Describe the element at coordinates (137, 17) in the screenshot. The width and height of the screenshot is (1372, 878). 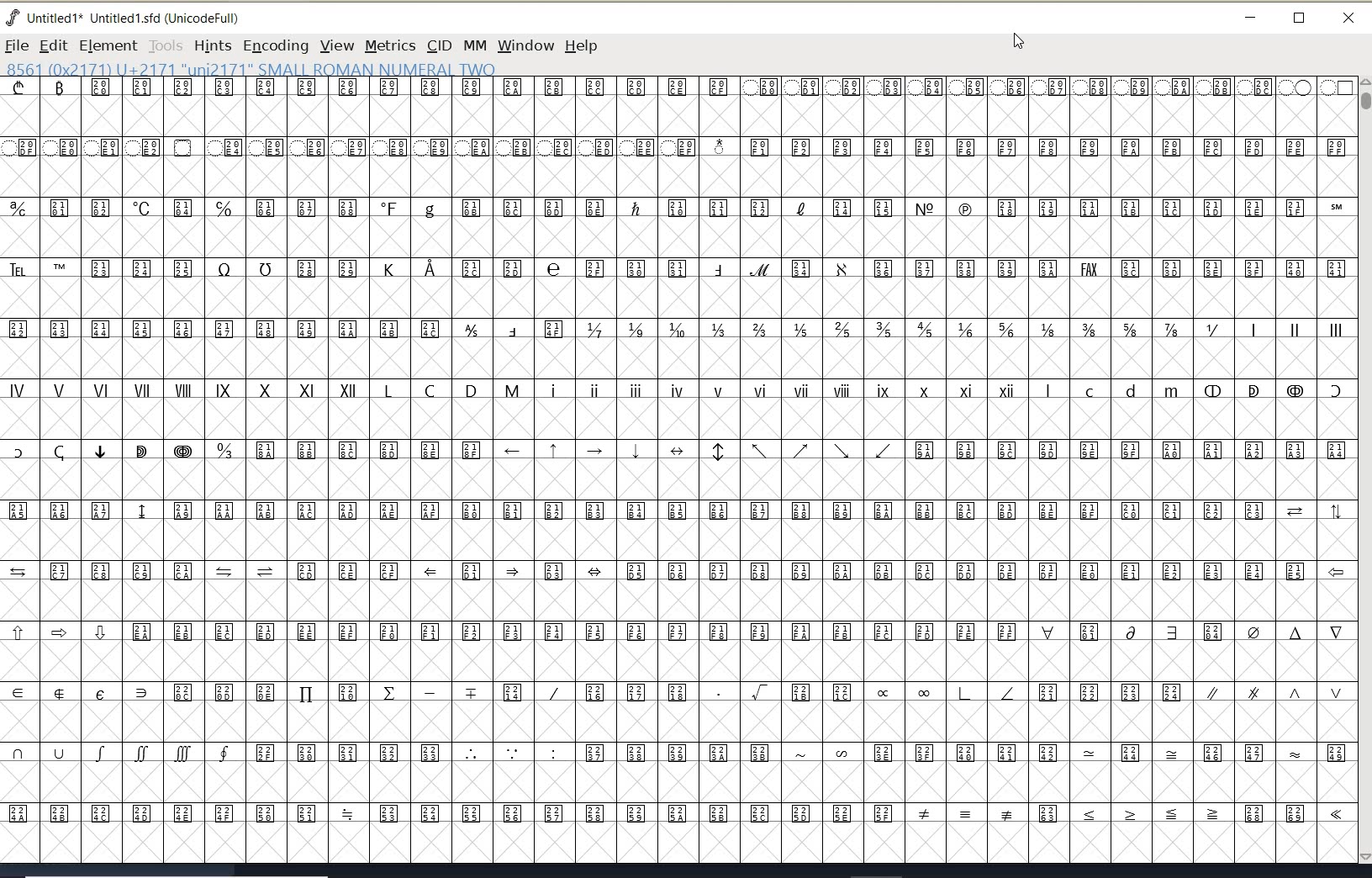
I see `untitled1* Untitled 1.sfd (UnicodeFull)` at that location.